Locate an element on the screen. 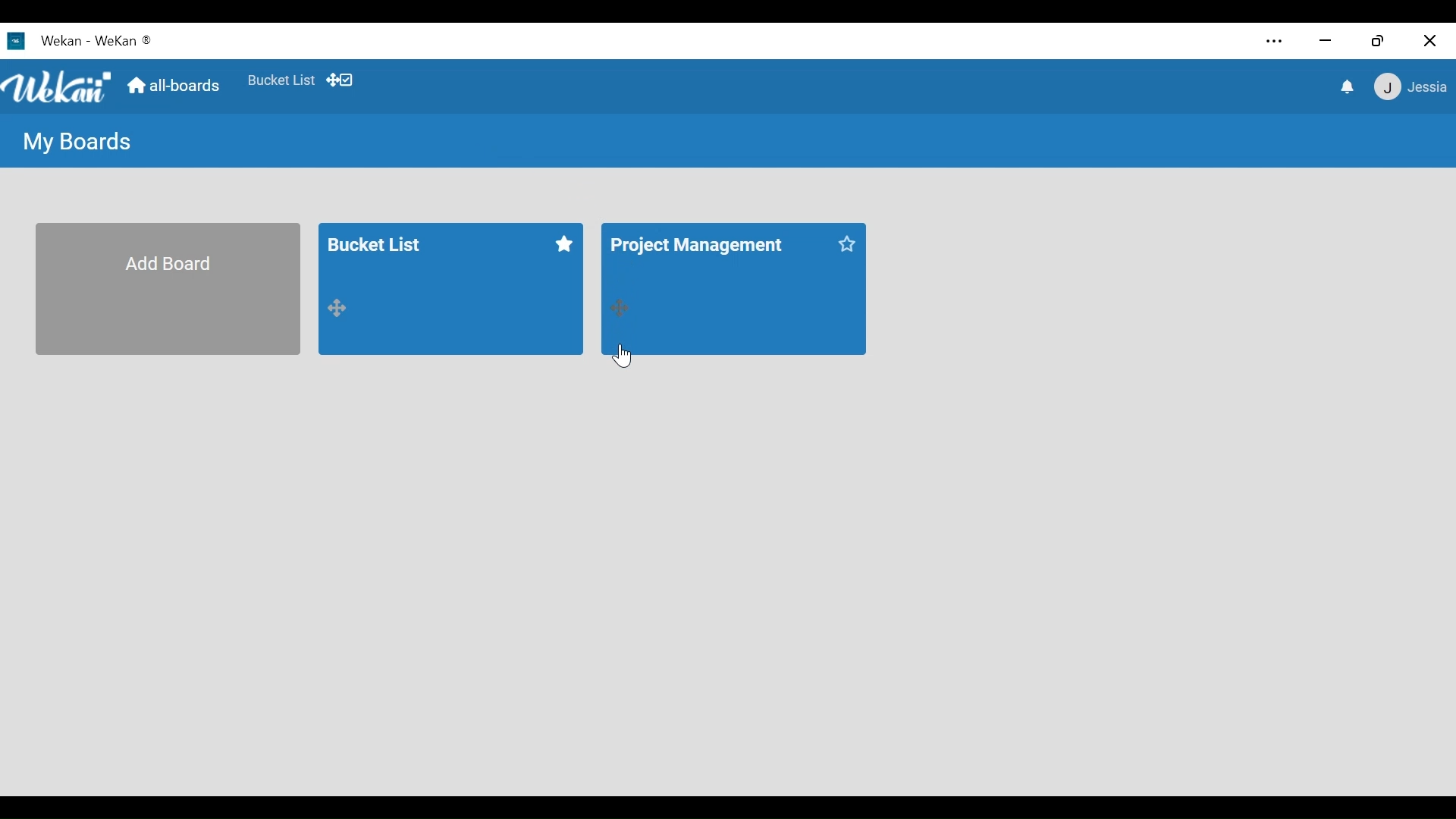  settings and more is located at coordinates (1275, 42).